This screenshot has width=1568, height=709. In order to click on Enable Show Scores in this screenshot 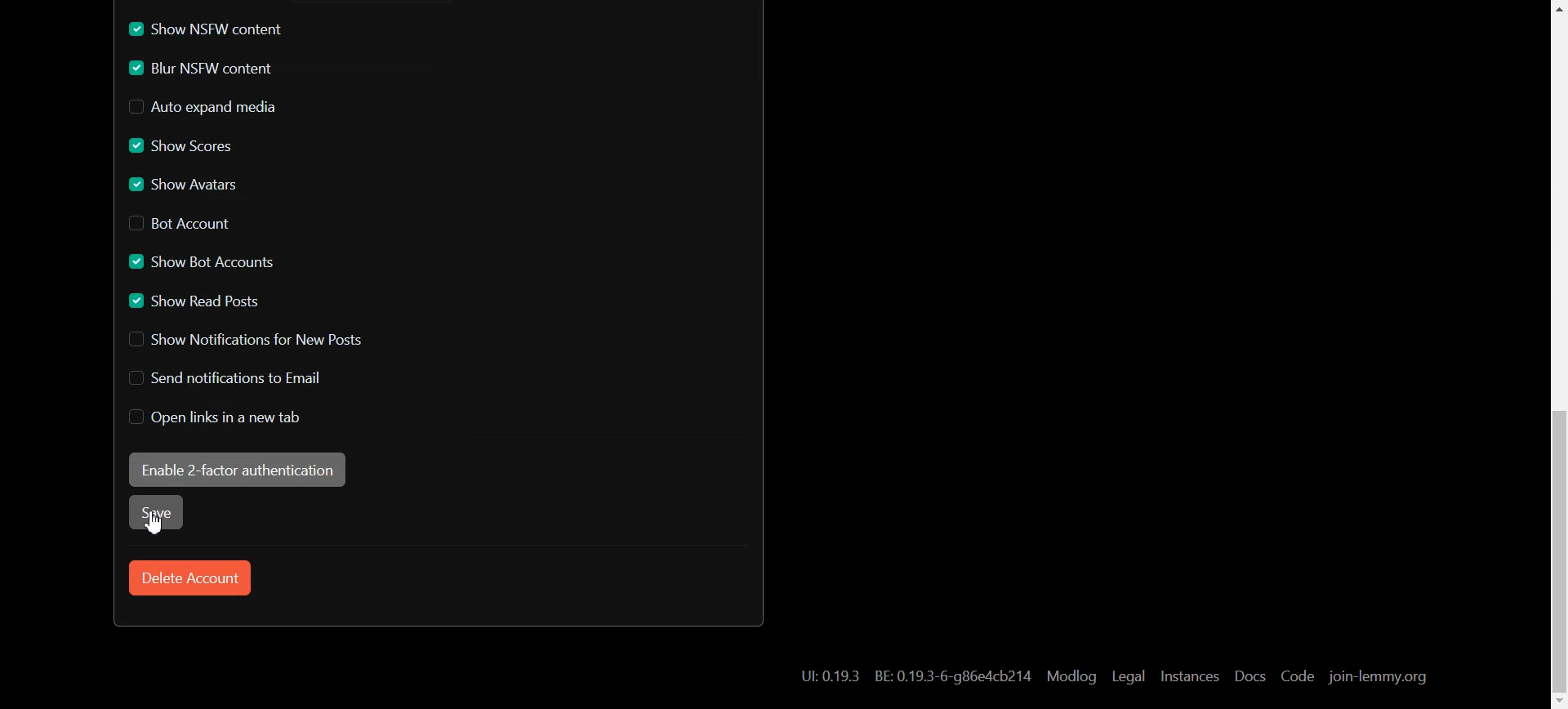, I will do `click(177, 146)`.